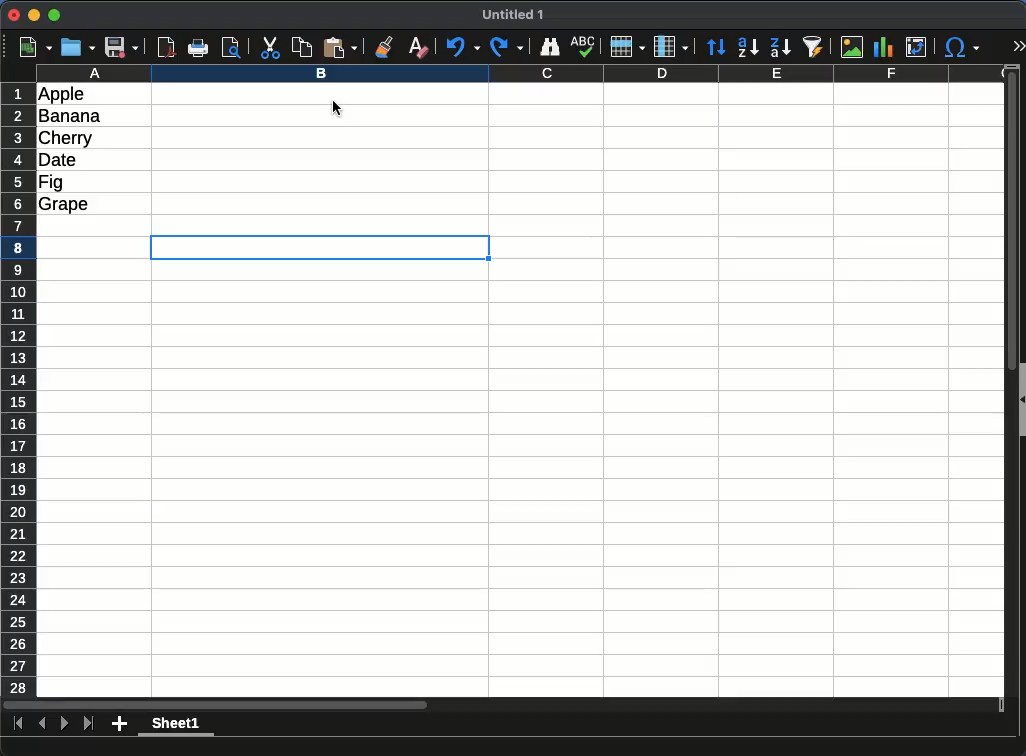 Image resolution: width=1026 pixels, height=756 pixels. What do you see at coordinates (419, 48) in the screenshot?
I see `clear formatting` at bounding box center [419, 48].